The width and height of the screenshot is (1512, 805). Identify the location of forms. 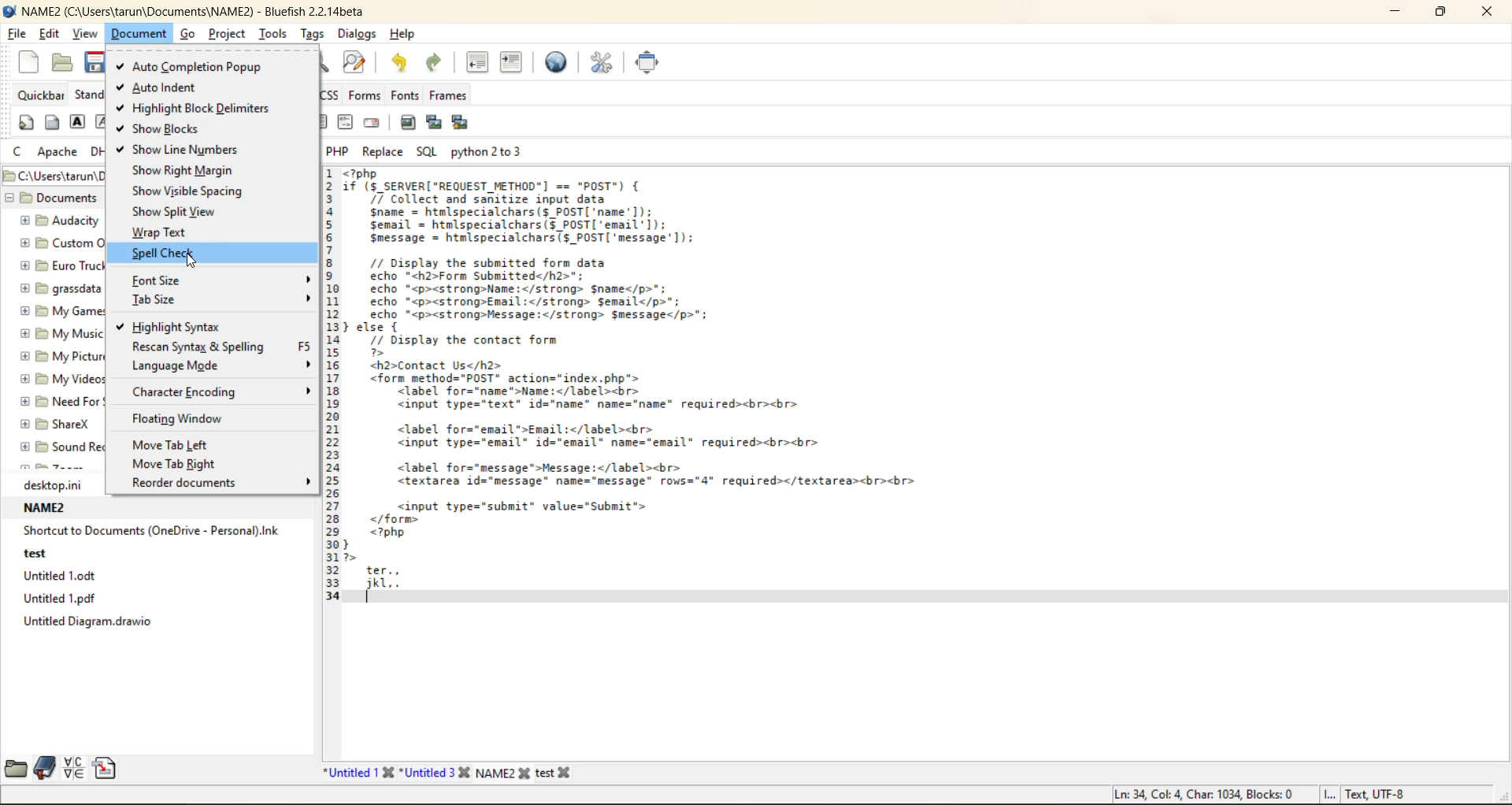
(363, 96).